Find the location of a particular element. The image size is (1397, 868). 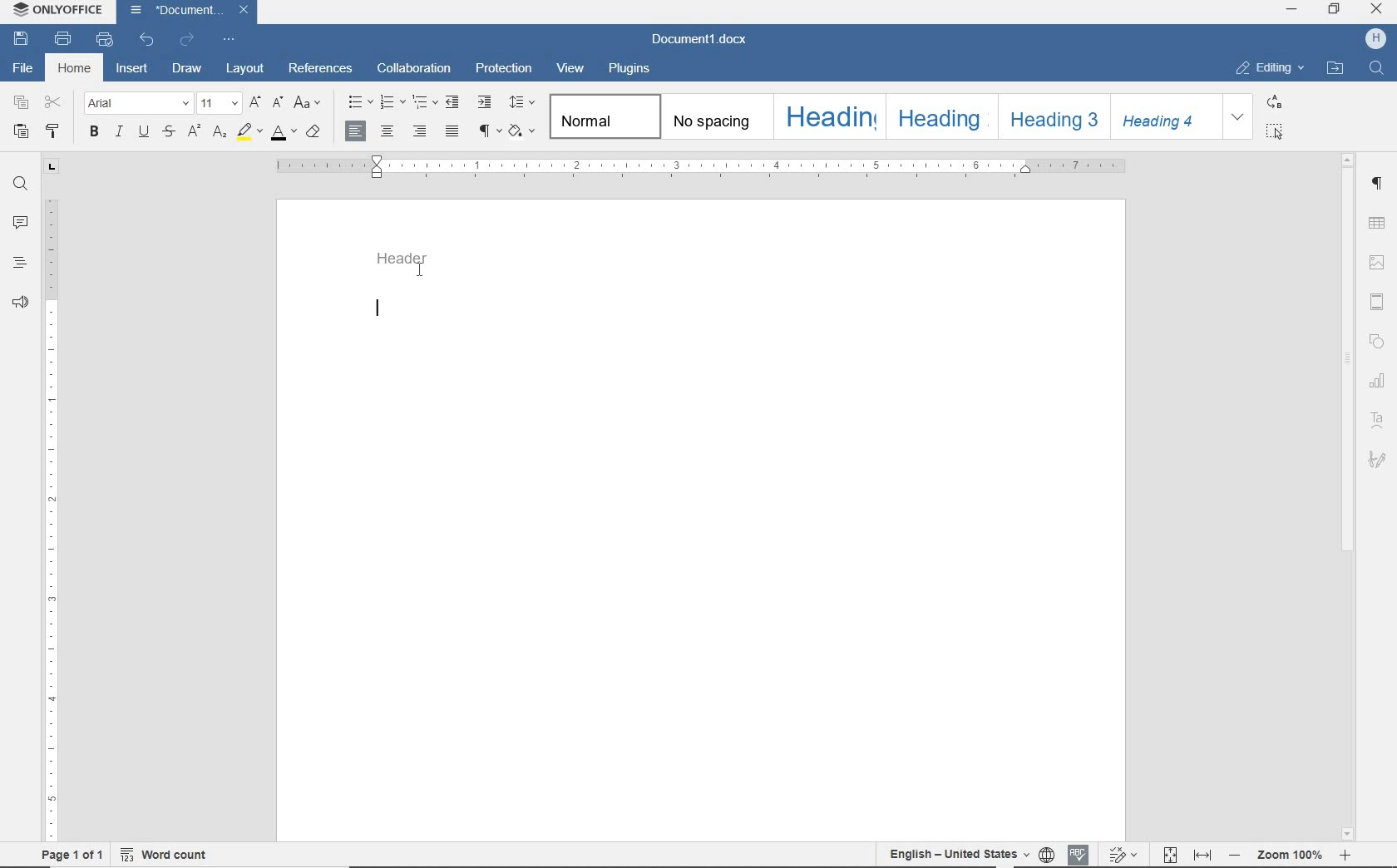

Header Text is located at coordinates (409, 259).